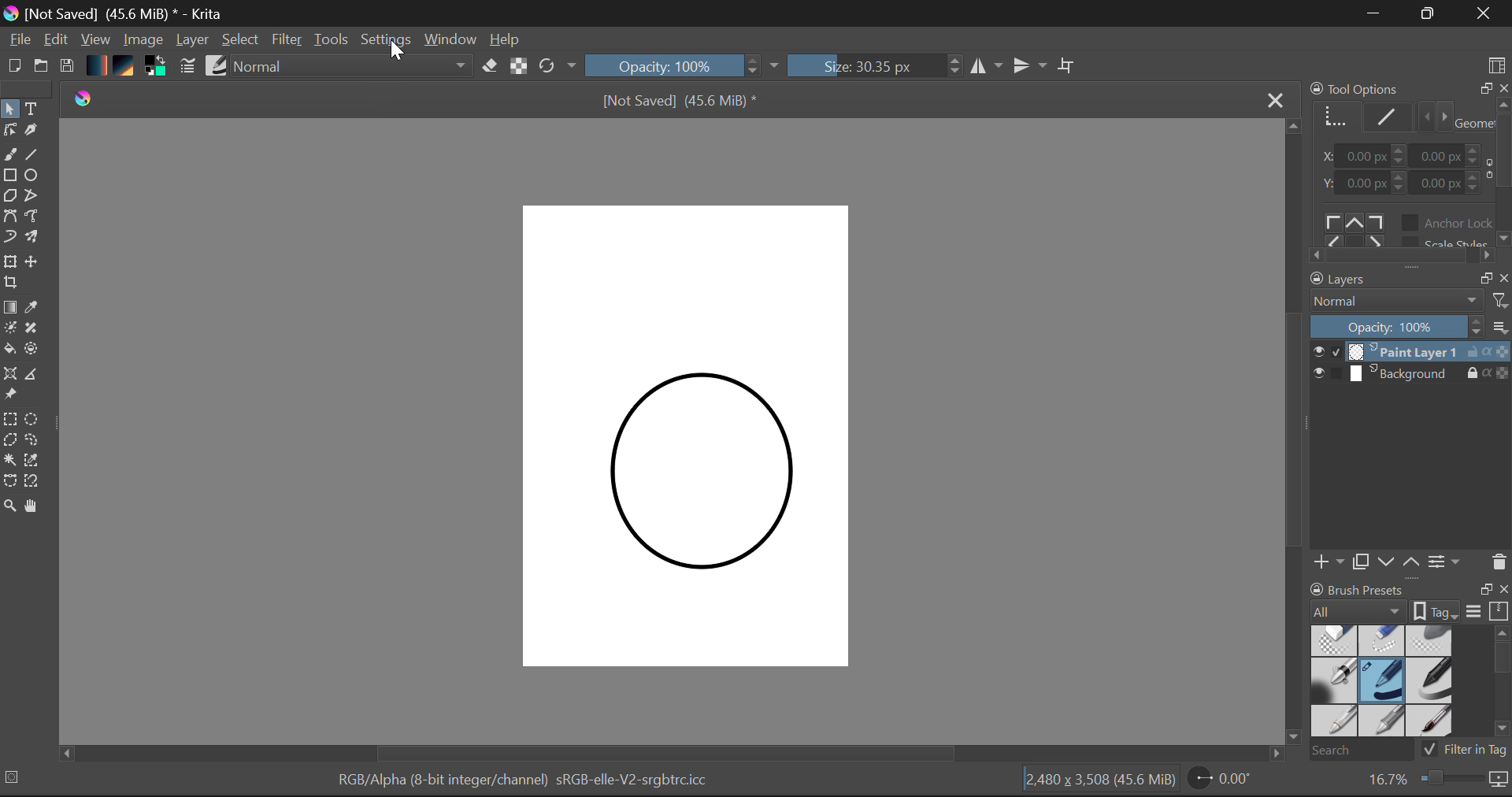  I want to click on Blending Mode, so click(1410, 303).